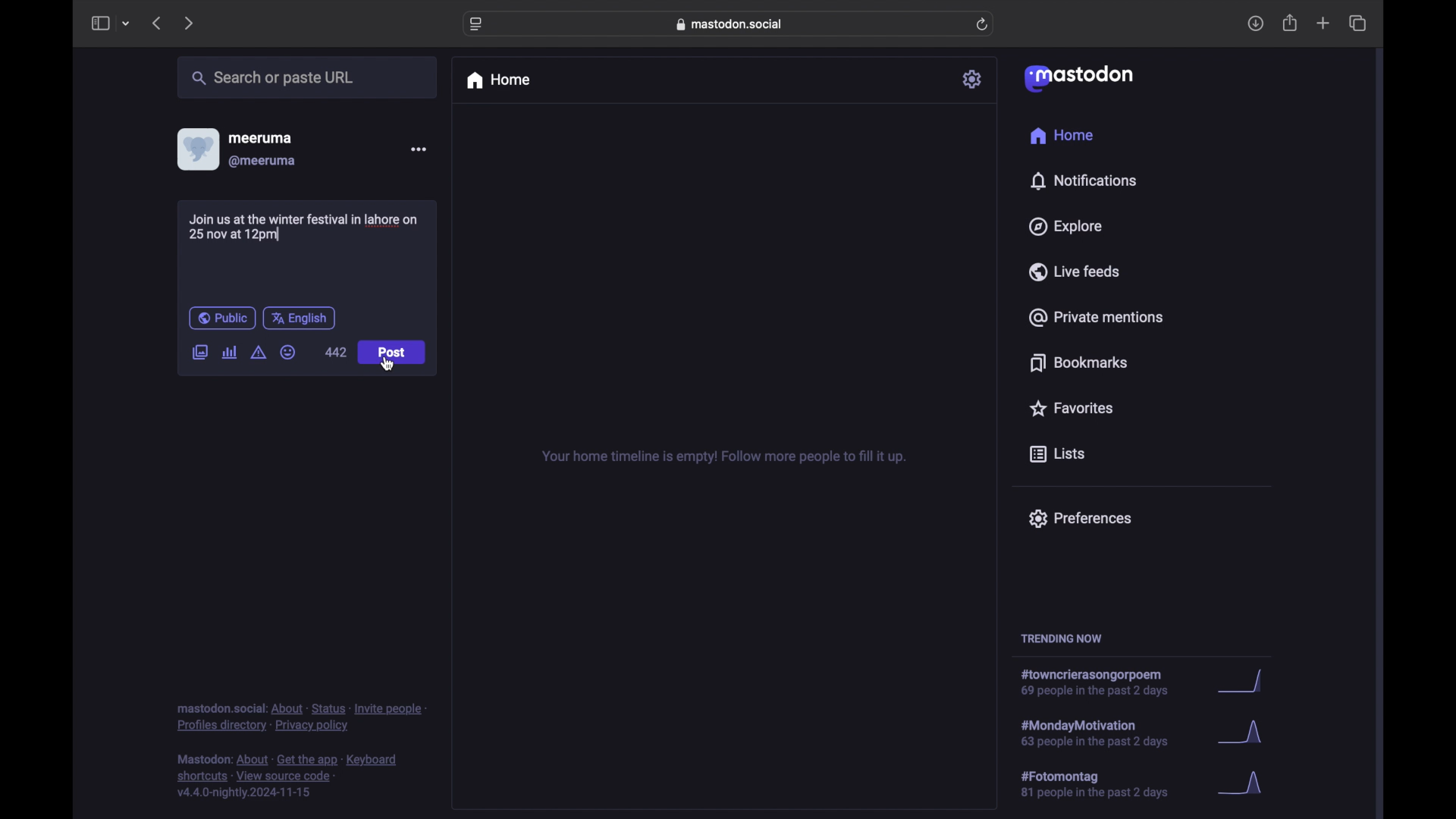 The image size is (1456, 819). I want to click on web address, so click(733, 24).